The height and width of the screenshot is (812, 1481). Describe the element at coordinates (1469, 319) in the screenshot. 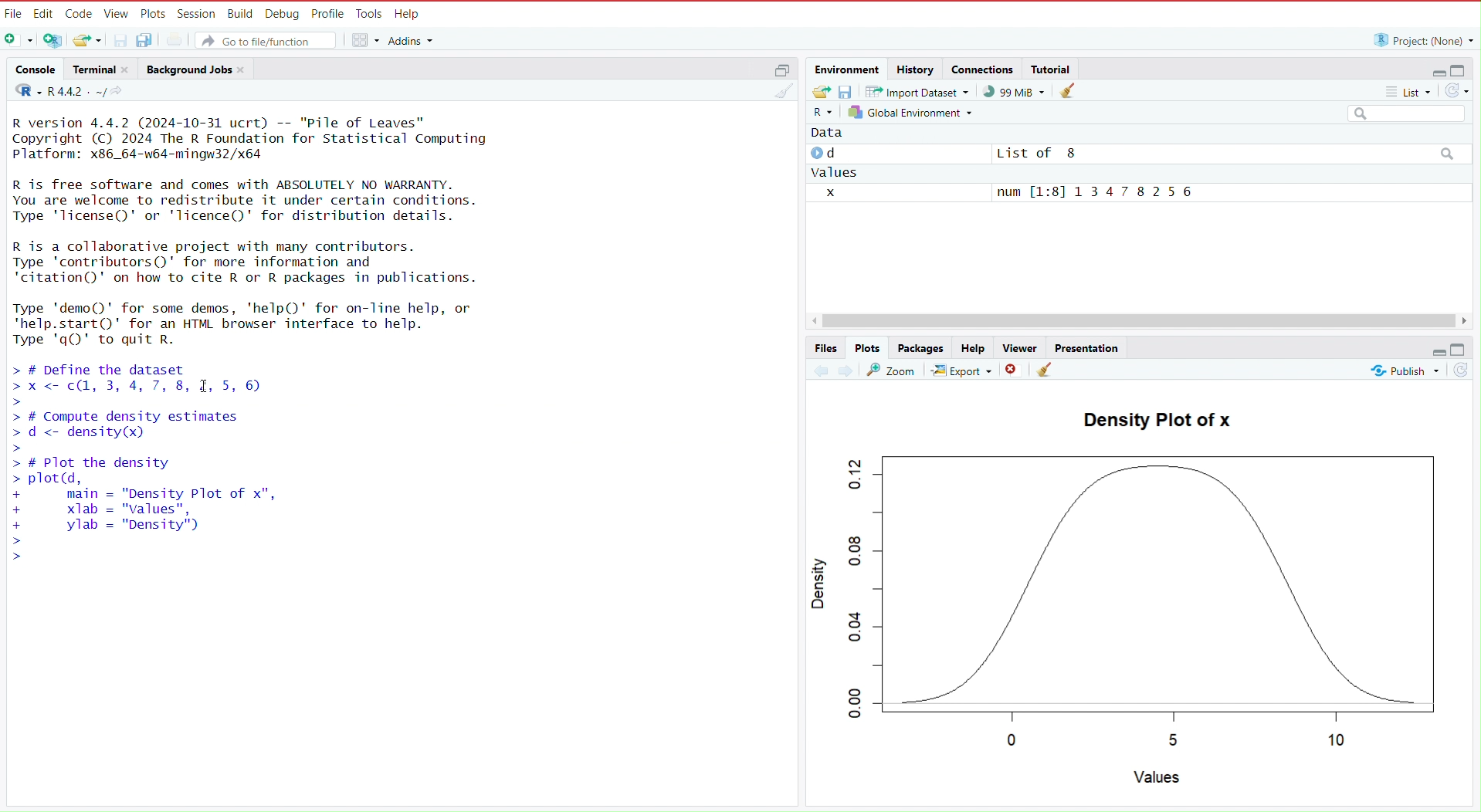

I see `move right` at that location.